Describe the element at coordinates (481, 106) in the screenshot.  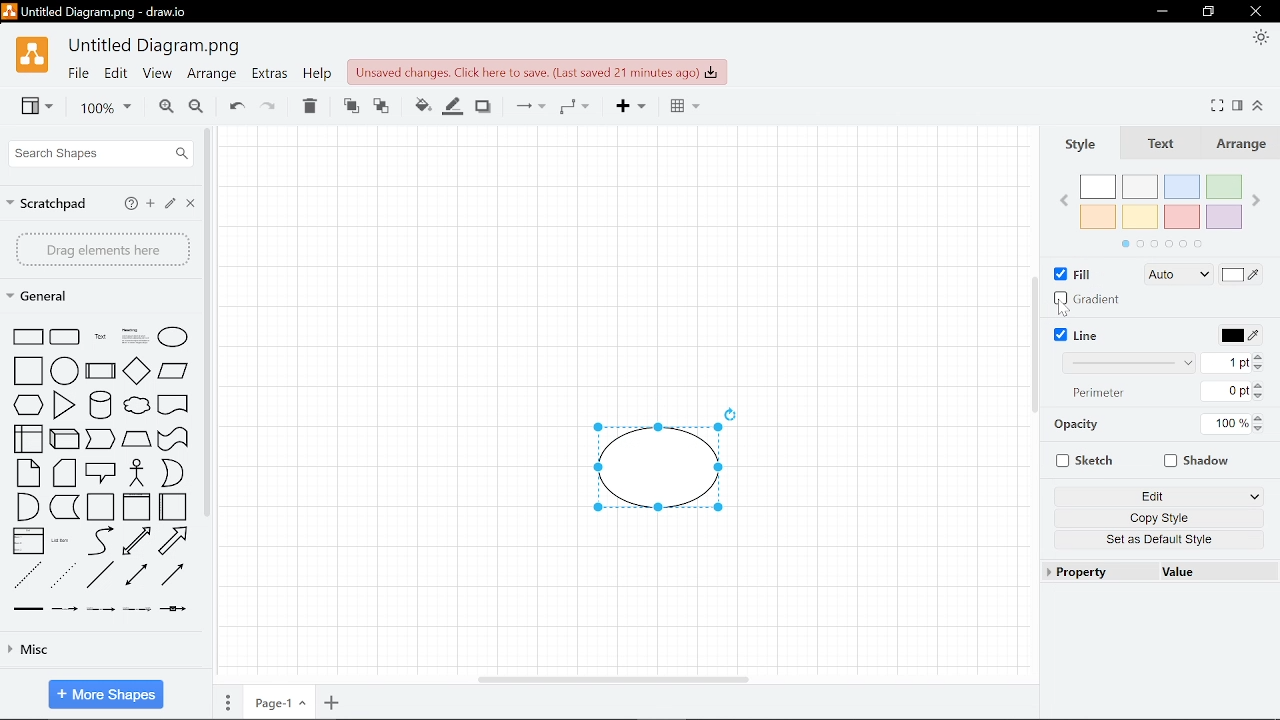
I see `Shadow` at that location.